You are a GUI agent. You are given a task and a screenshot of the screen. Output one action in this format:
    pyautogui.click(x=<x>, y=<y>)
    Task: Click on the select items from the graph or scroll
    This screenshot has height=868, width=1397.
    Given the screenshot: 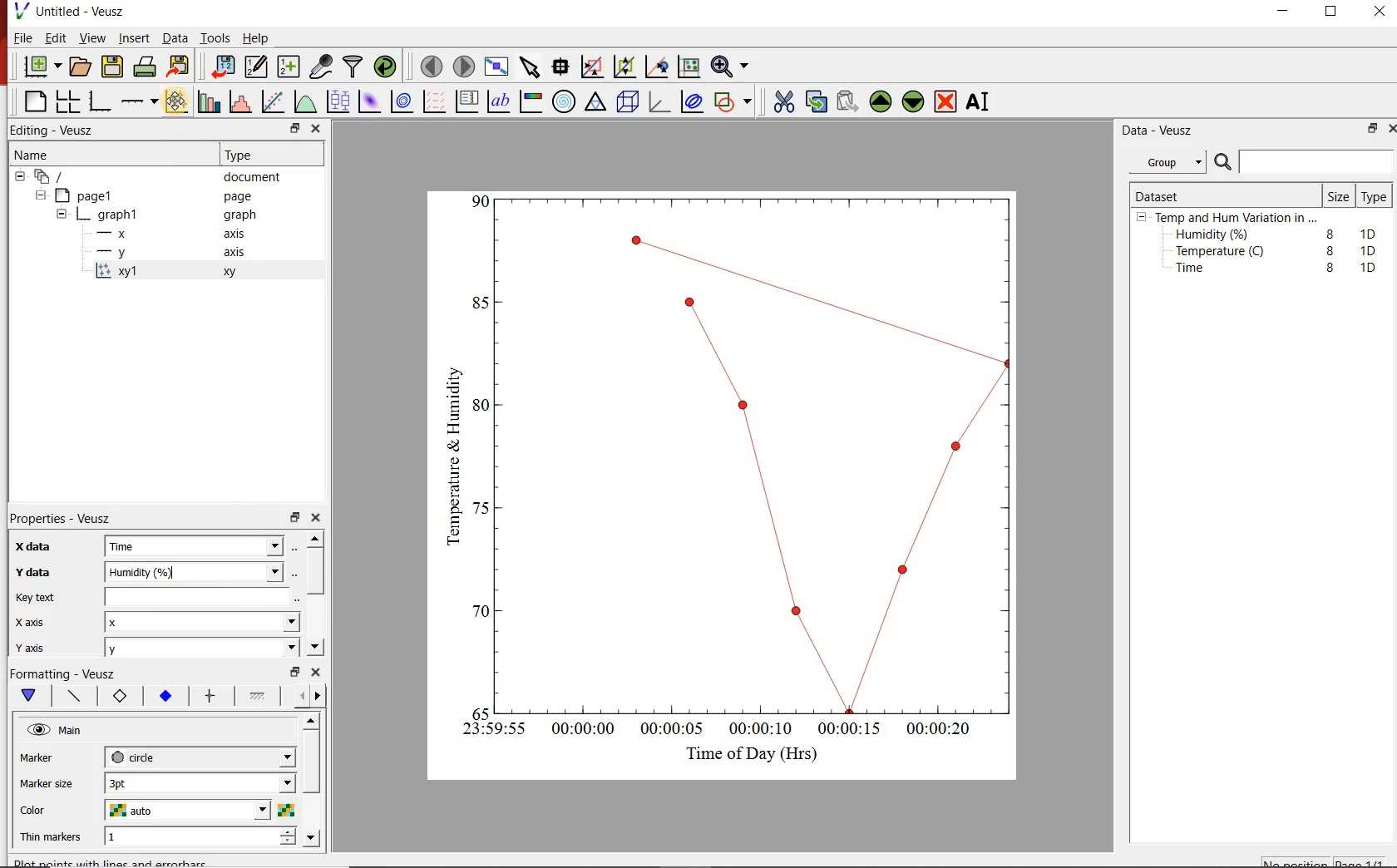 What is the action you would take?
    pyautogui.click(x=531, y=69)
    